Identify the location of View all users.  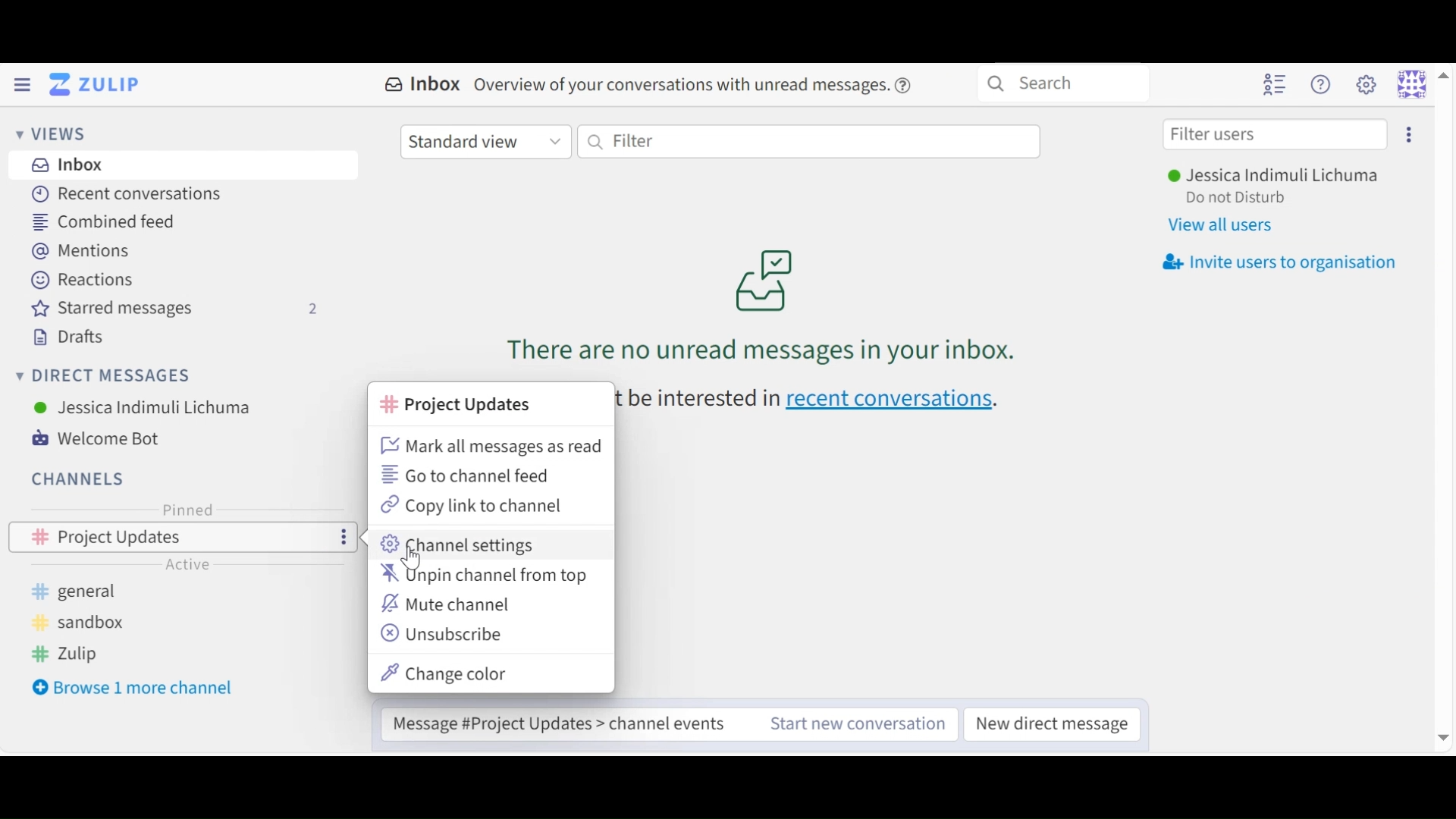
(1219, 225).